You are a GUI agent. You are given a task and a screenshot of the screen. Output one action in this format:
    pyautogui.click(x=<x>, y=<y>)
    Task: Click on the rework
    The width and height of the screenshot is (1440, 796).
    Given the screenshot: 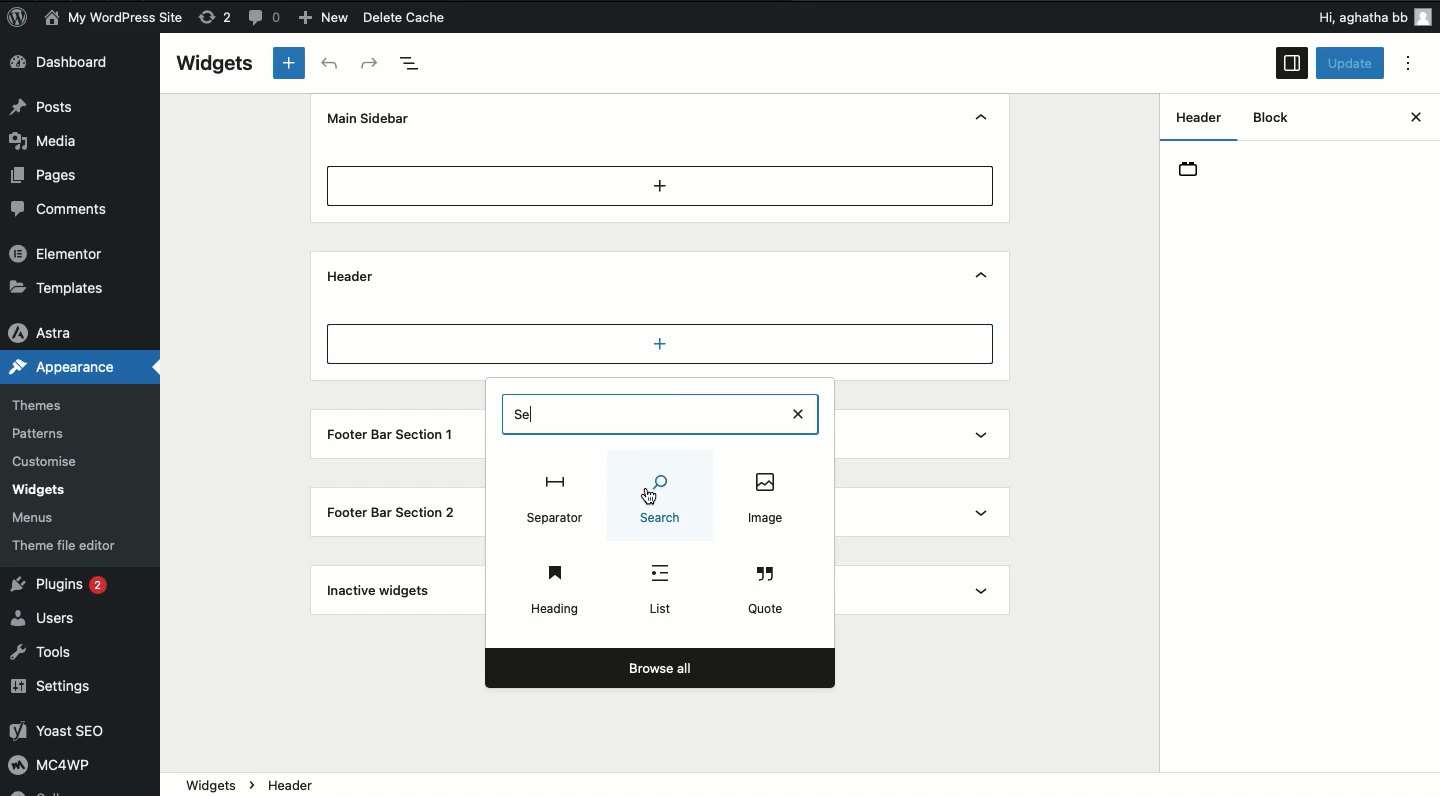 What is the action you would take?
    pyautogui.click(x=218, y=20)
    